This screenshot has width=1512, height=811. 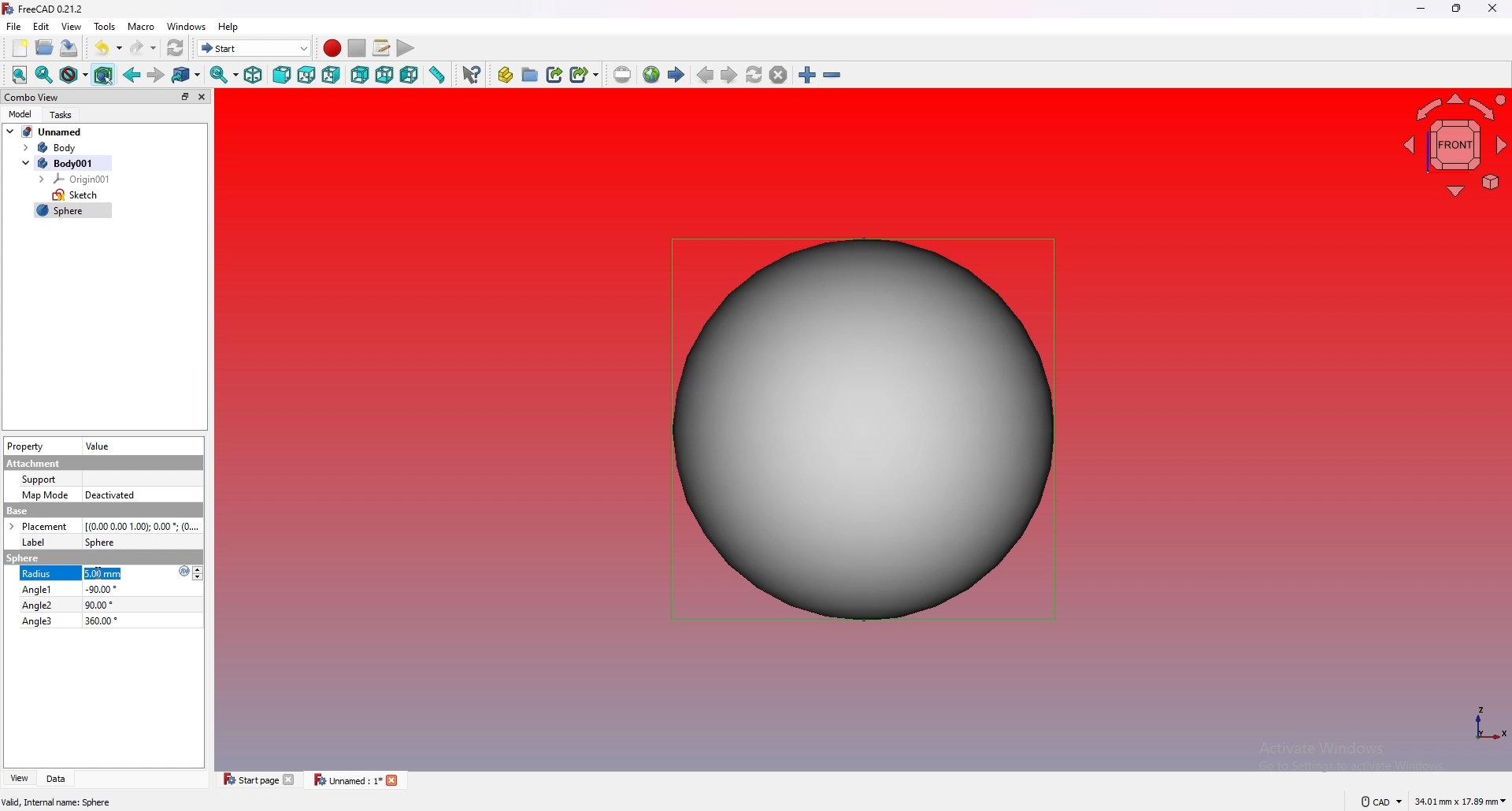 What do you see at coordinates (1461, 802) in the screenshot?
I see `dimensions` at bounding box center [1461, 802].